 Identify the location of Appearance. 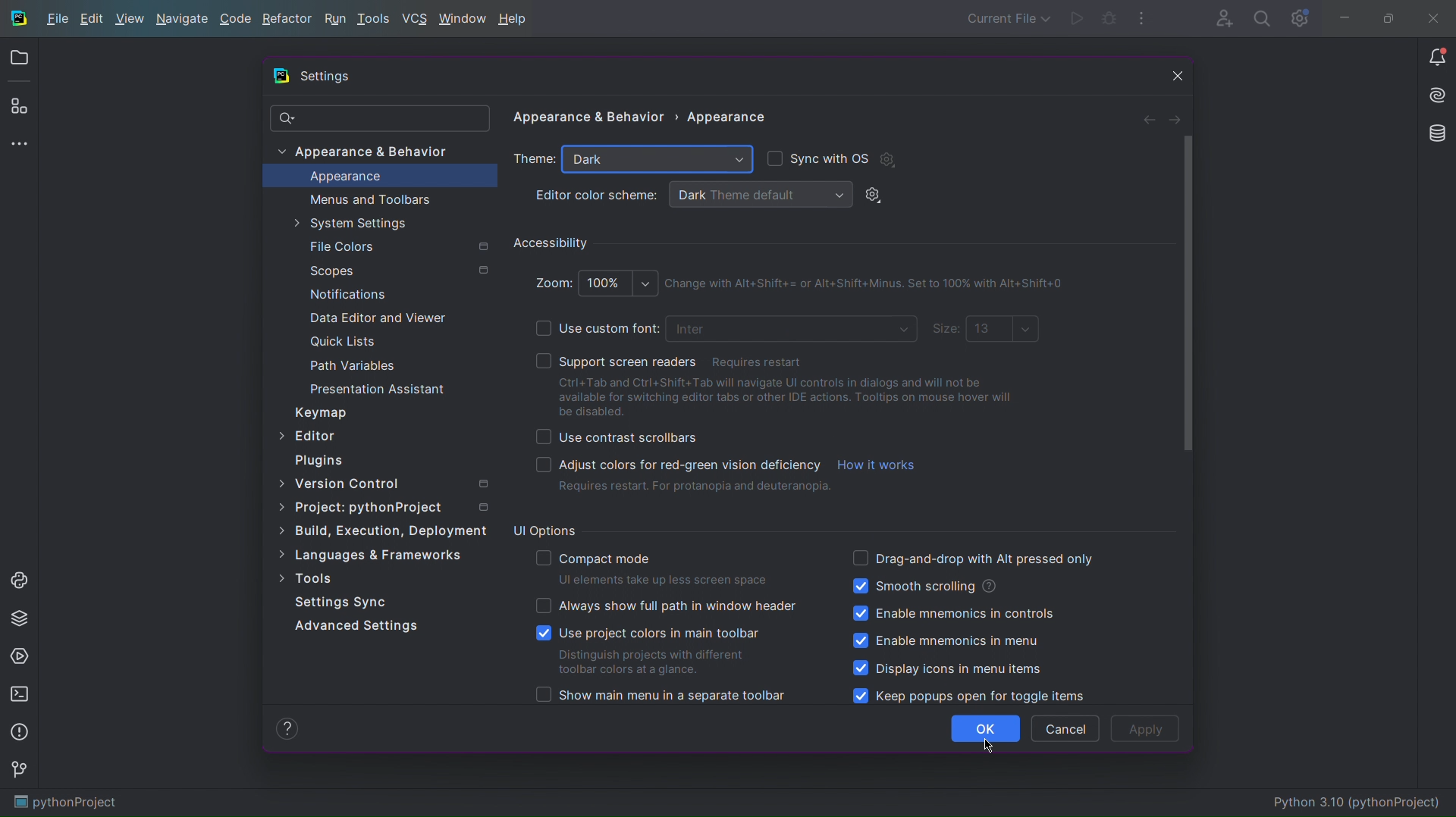
(345, 177).